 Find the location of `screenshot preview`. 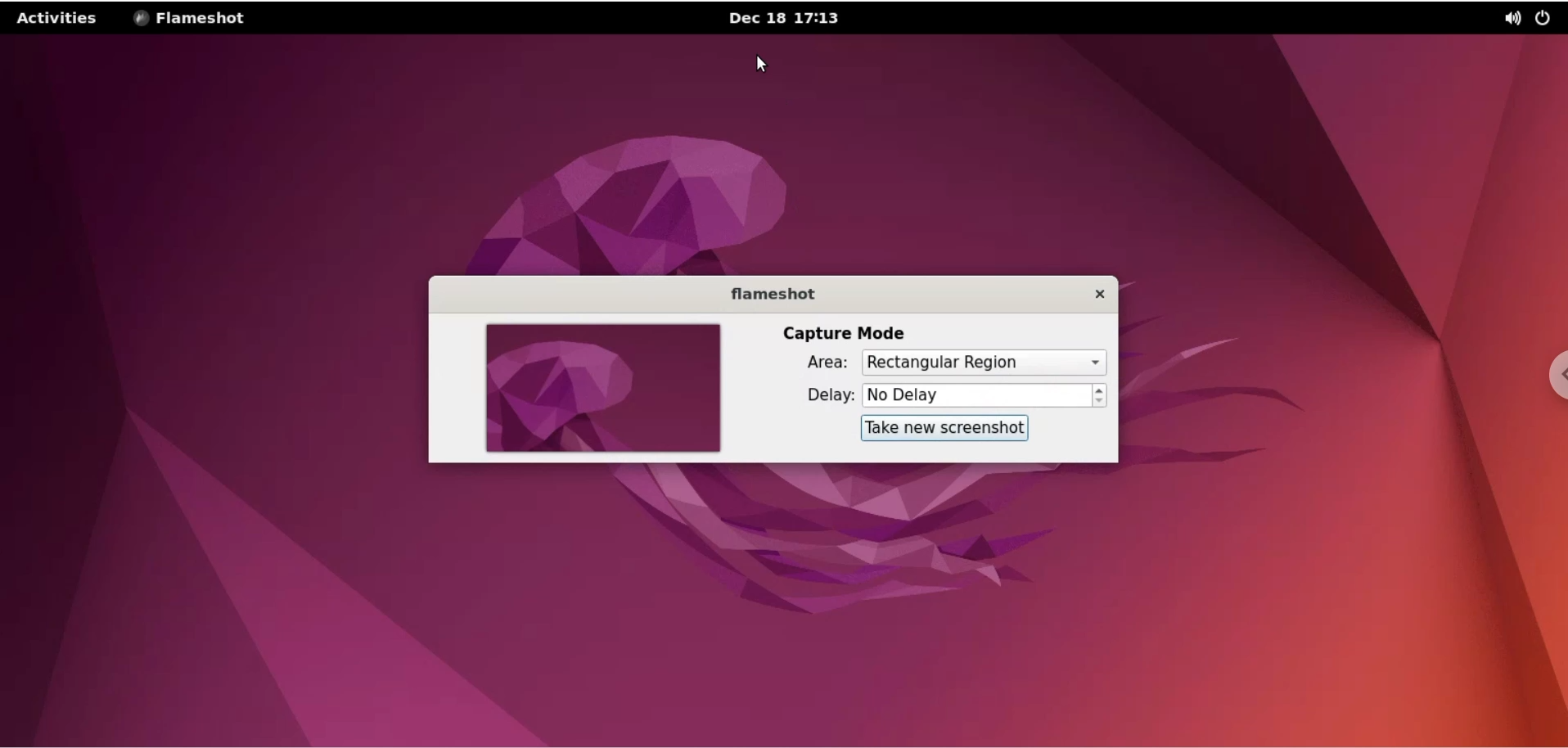

screenshot preview is located at coordinates (602, 388).